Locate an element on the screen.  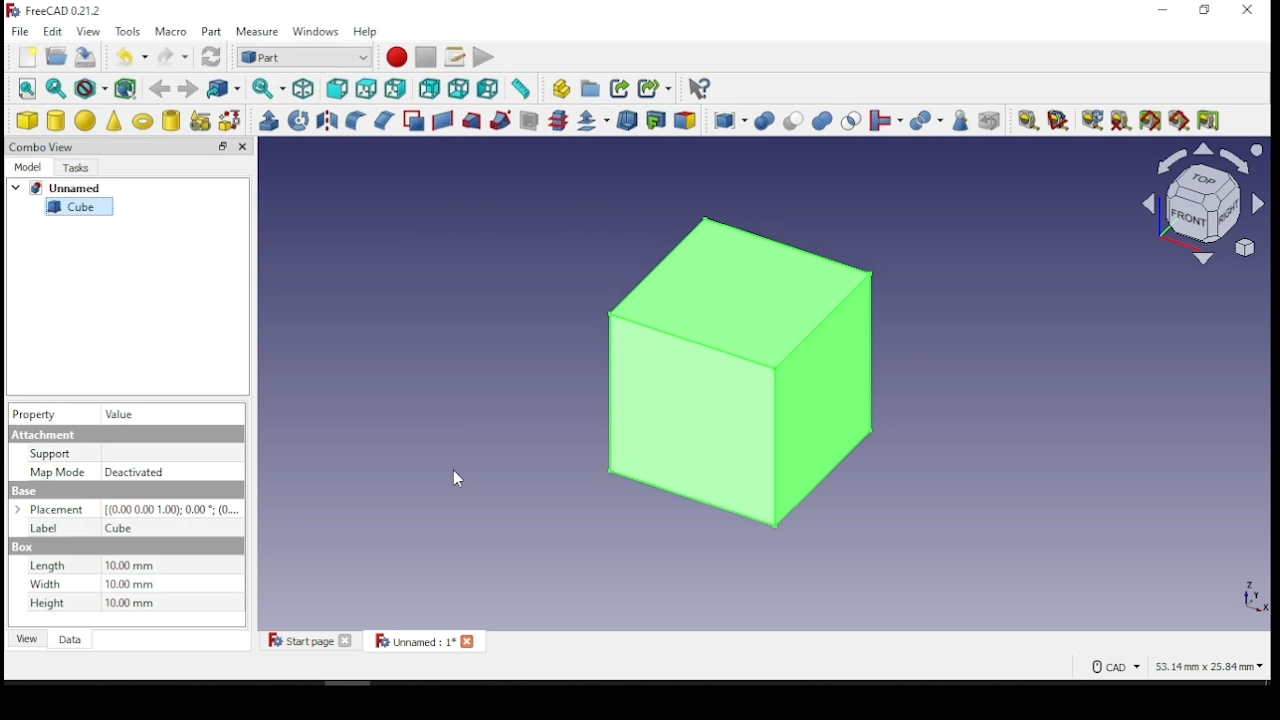
unnamed: 1 is located at coordinates (425, 640).